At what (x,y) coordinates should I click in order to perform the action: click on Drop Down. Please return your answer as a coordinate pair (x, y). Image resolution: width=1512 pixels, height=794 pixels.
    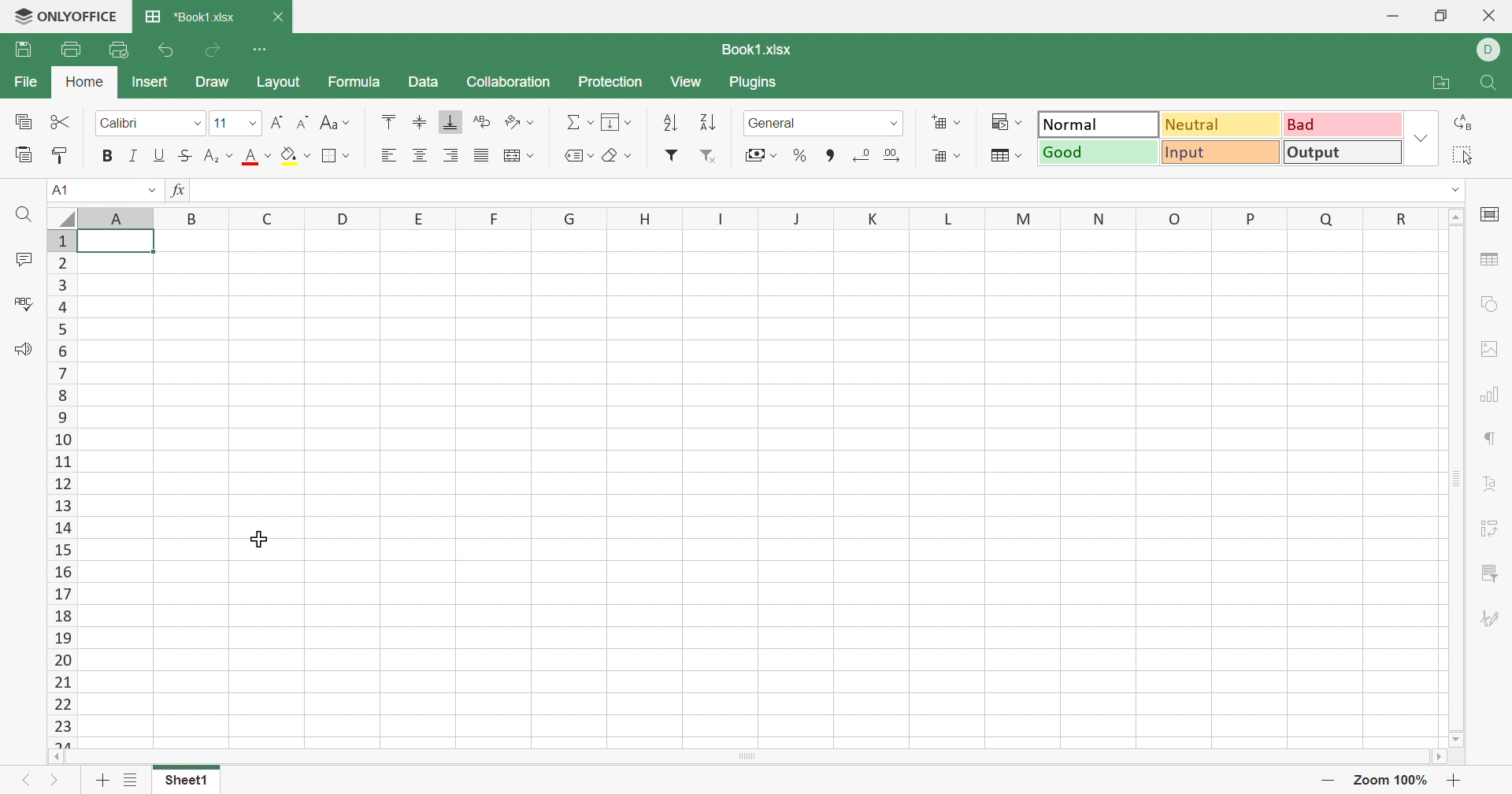
    Looking at the image, I should click on (631, 122).